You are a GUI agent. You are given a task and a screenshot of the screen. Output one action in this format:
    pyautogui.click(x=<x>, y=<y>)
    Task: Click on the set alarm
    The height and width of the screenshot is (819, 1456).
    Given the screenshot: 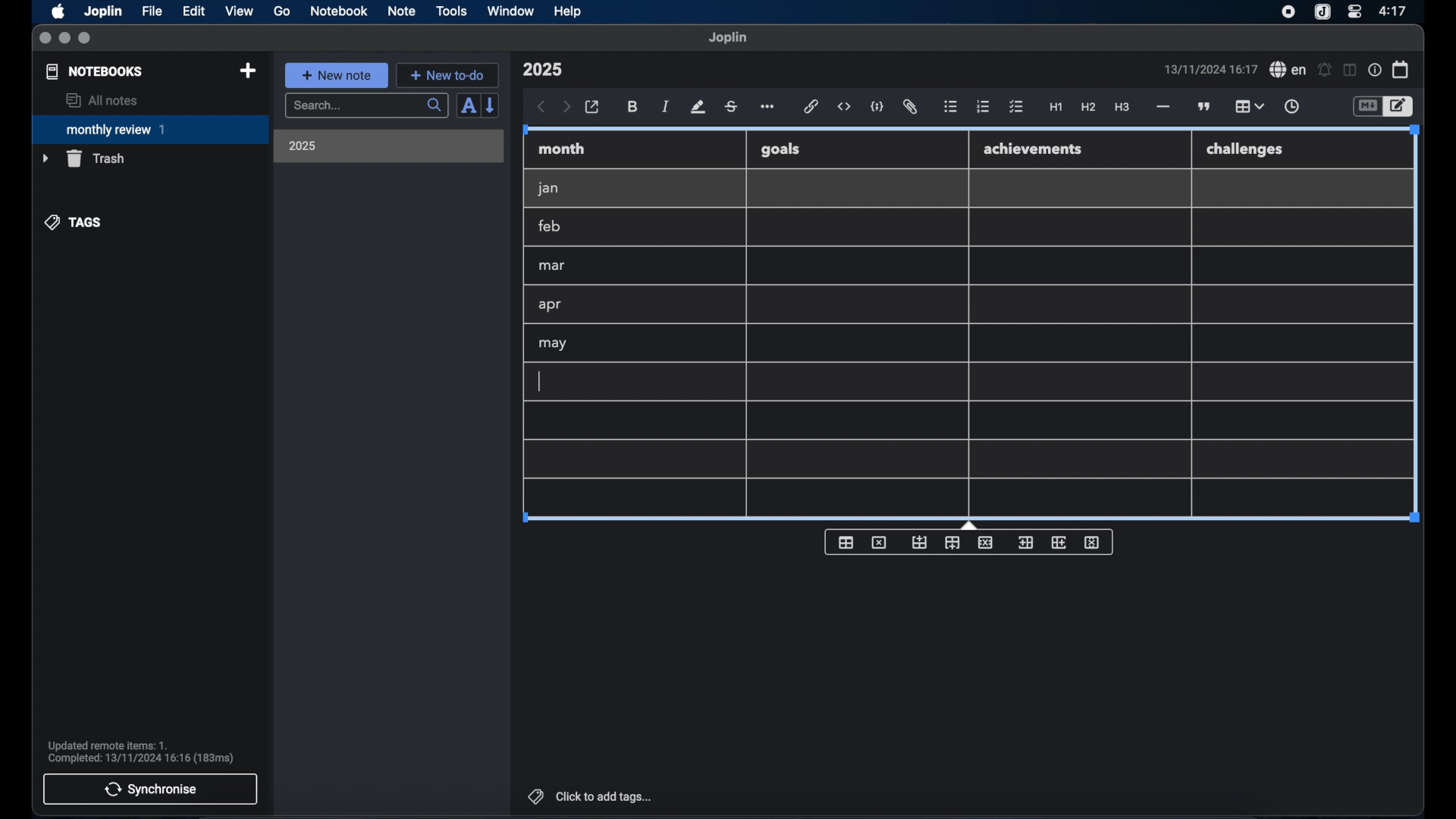 What is the action you would take?
    pyautogui.click(x=1325, y=71)
    